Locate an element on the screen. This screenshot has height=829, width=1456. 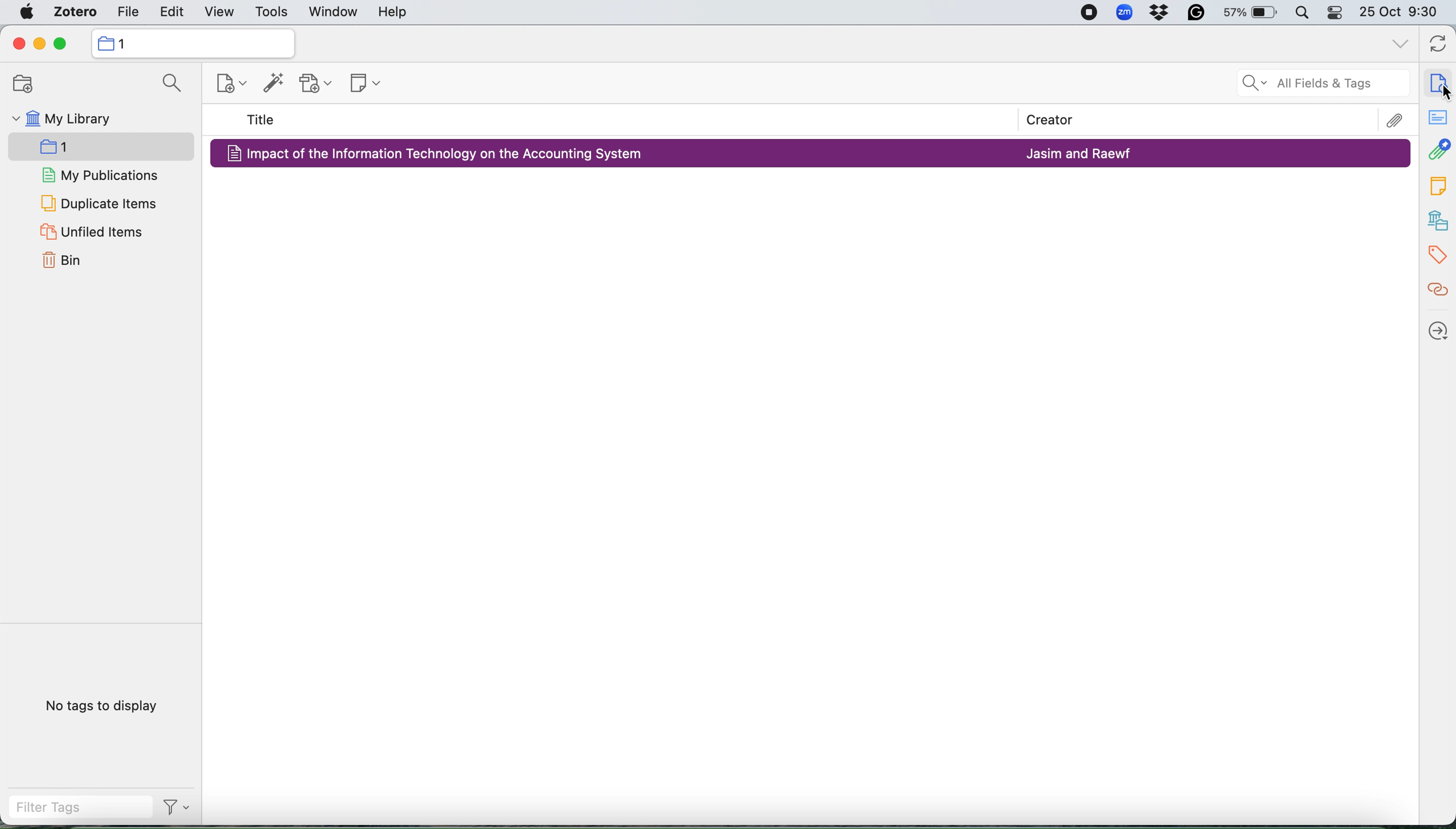
maximise is located at coordinates (63, 43).